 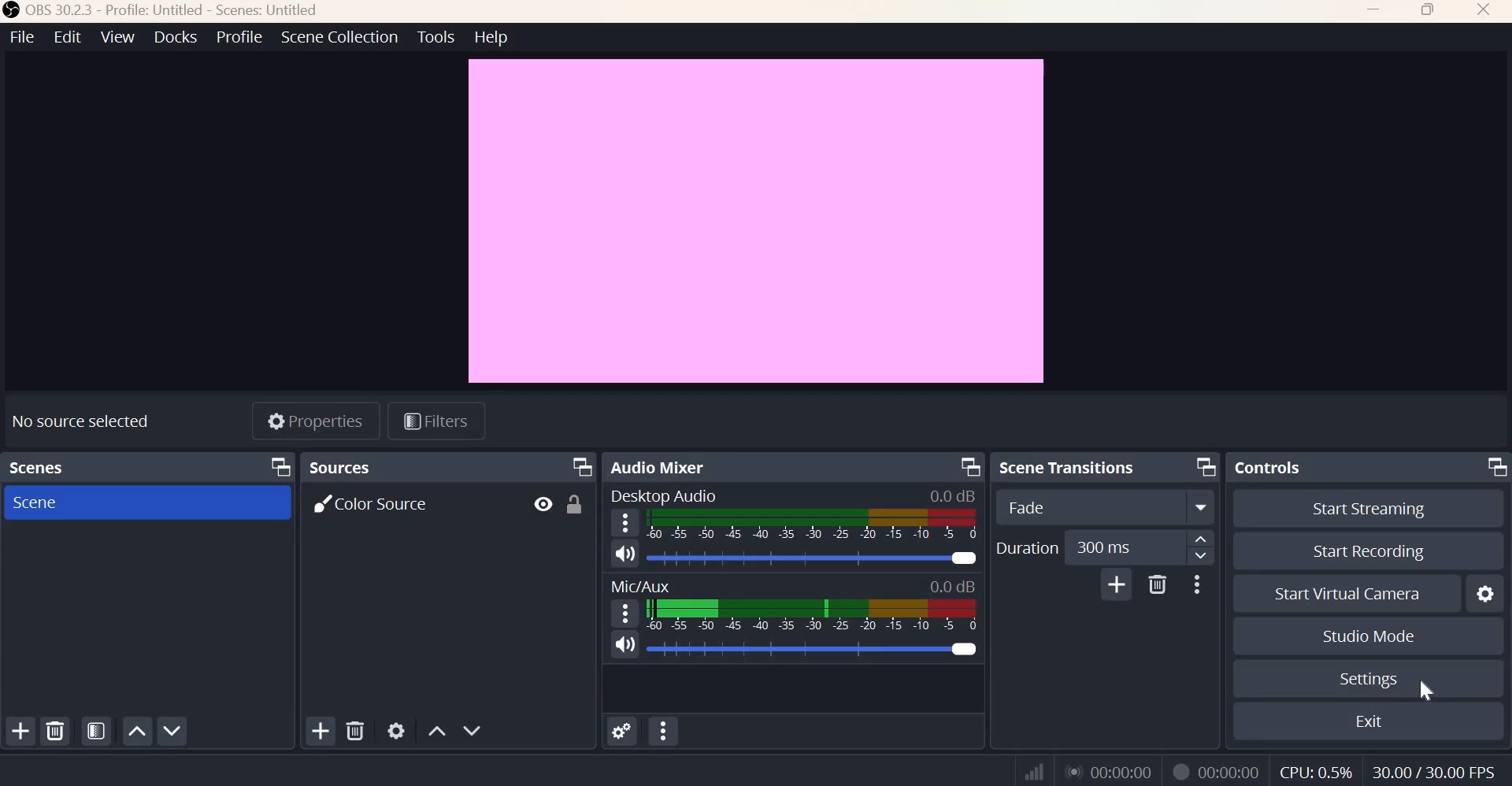 What do you see at coordinates (237, 38) in the screenshot?
I see `Profile` at bounding box center [237, 38].